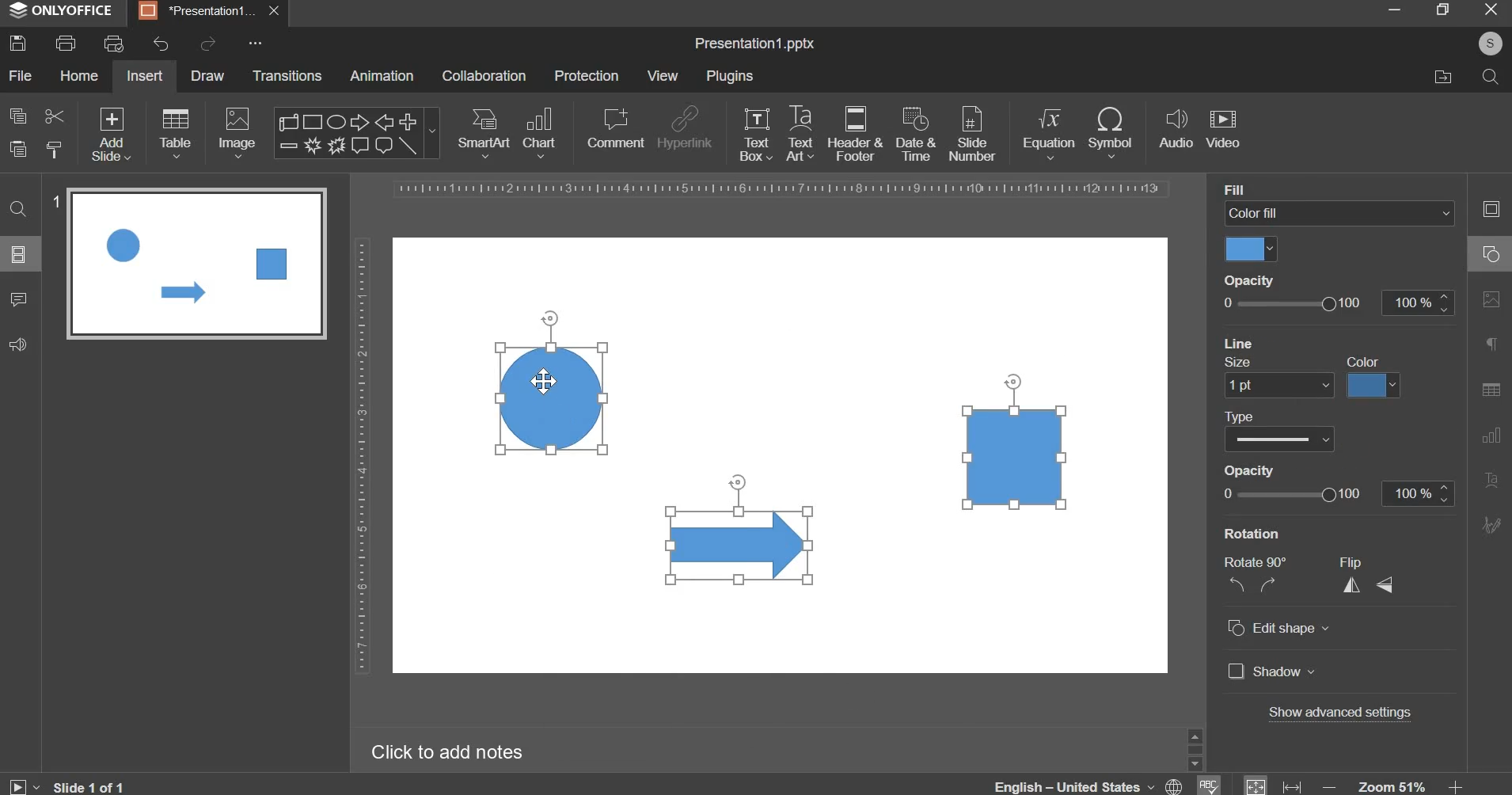 The width and height of the screenshot is (1512, 795). What do you see at coordinates (19, 253) in the screenshot?
I see `slide` at bounding box center [19, 253].